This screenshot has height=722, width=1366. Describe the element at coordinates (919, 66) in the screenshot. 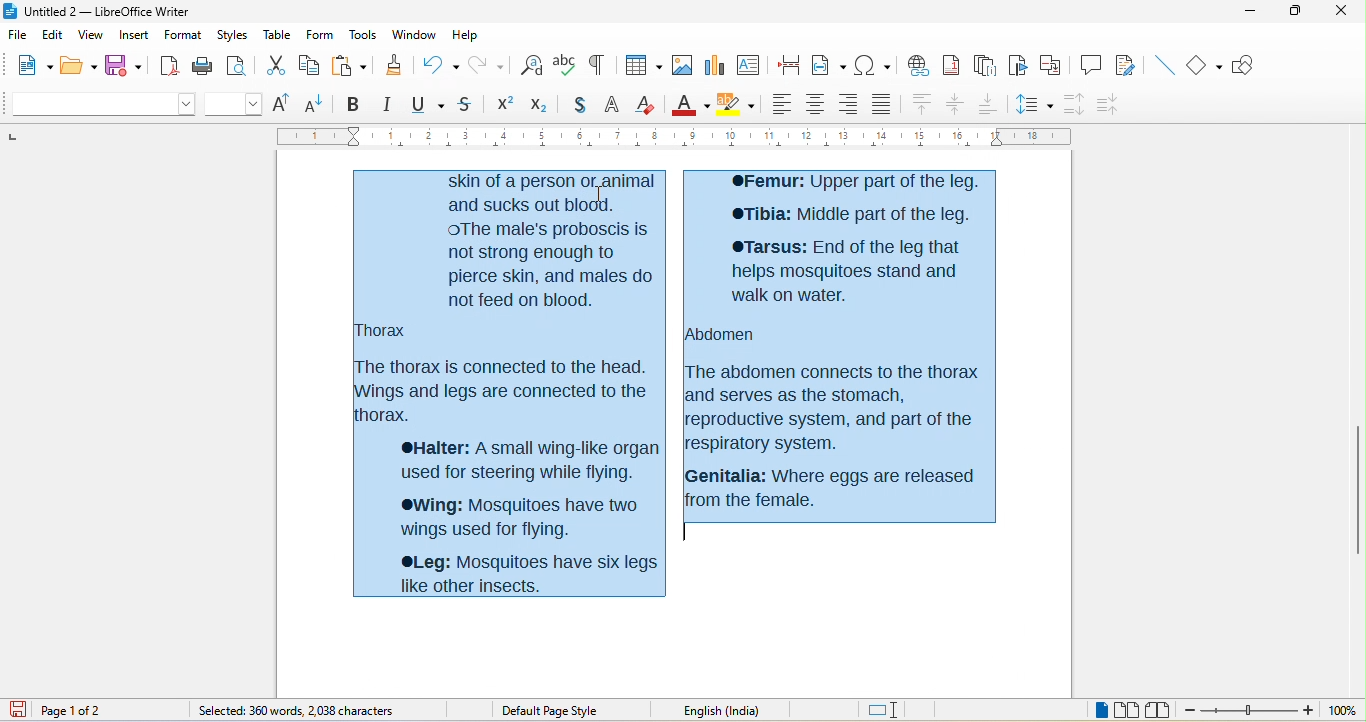

I see `hyperlink` at that location.